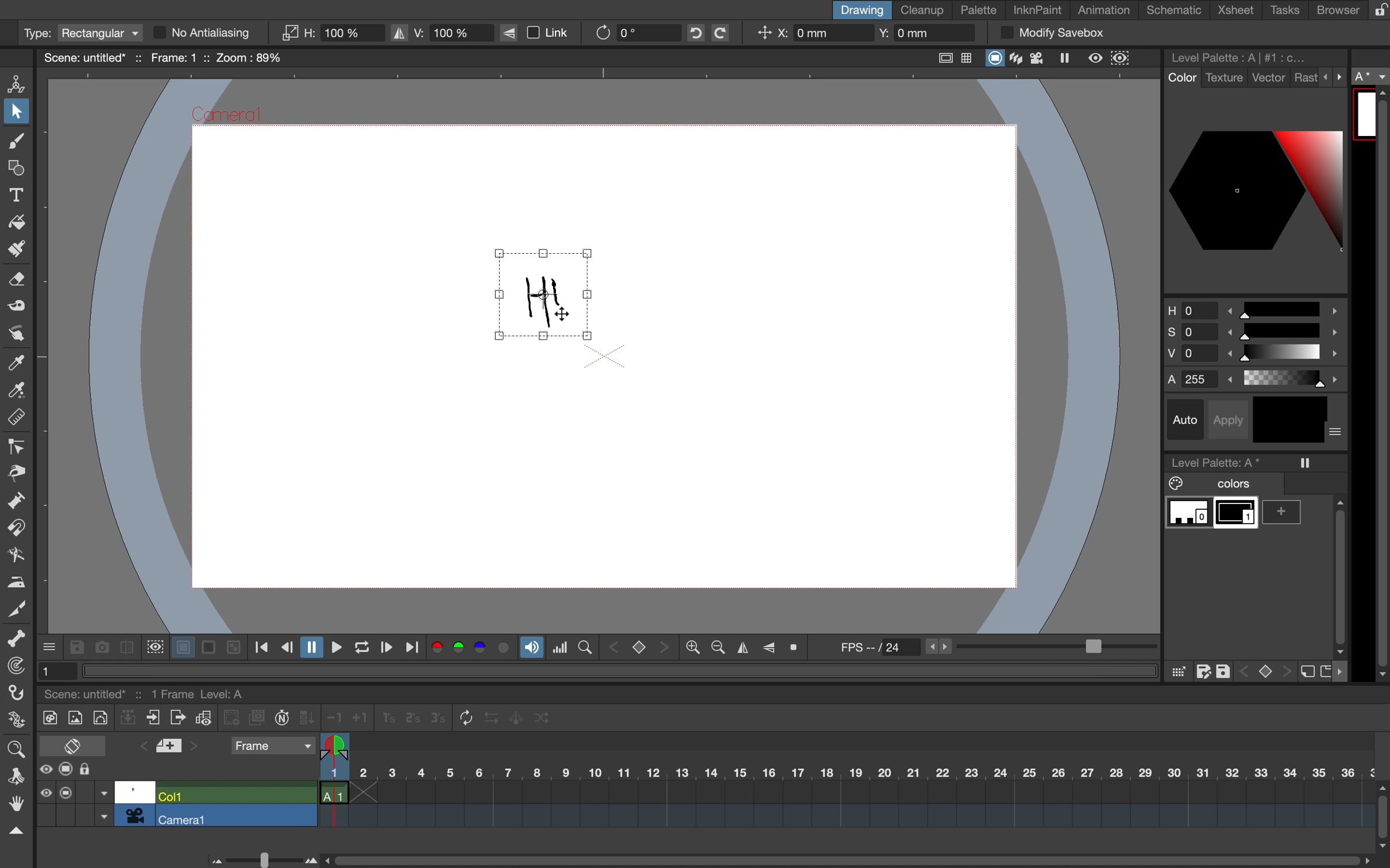  Describe the element at coordinates (65, 792) in the screenshot. I see `camera stand visibility toggle all` at that location.